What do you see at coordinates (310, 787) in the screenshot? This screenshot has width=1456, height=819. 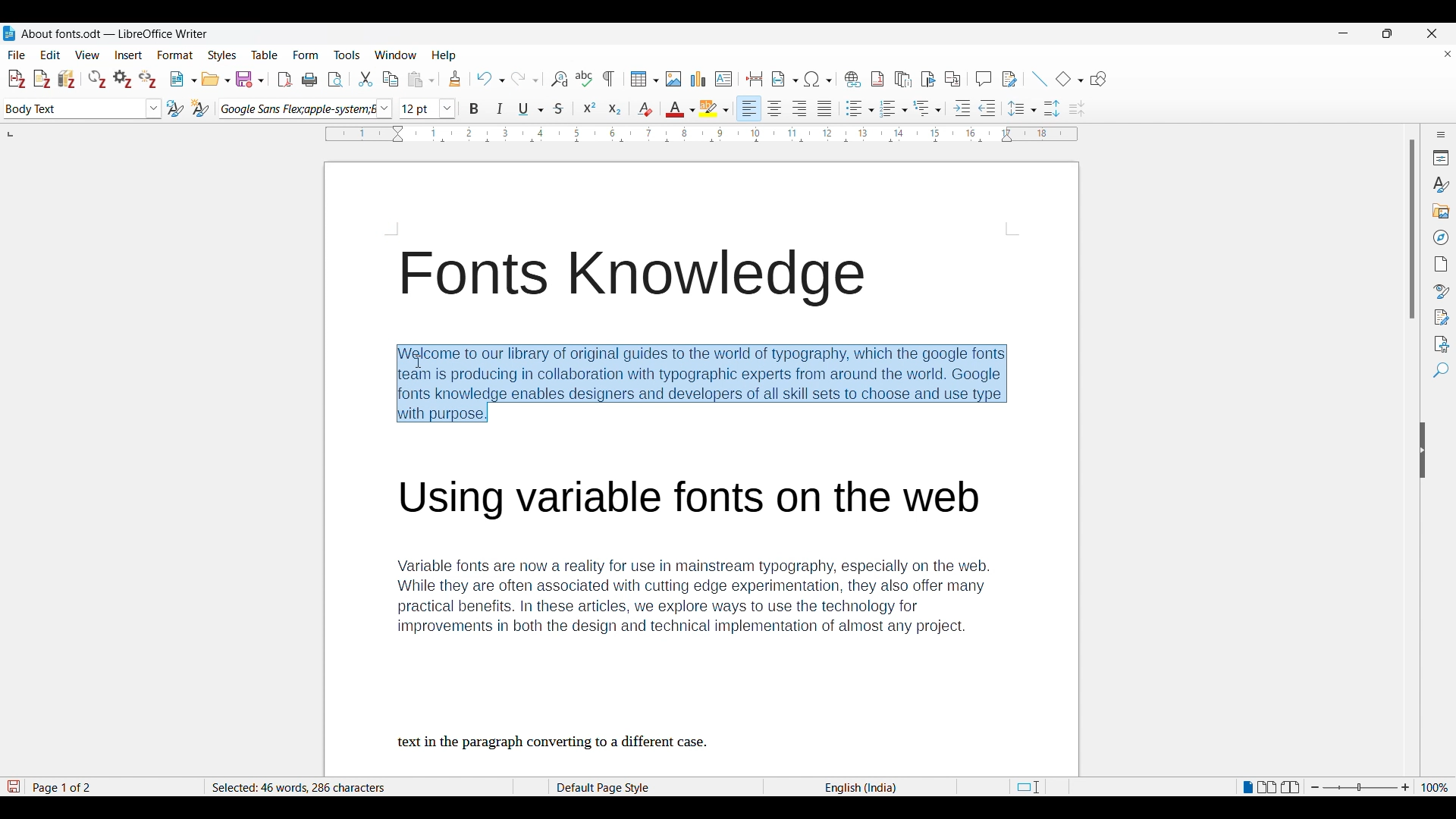 I see `Words and character count of selected text` at bounding box center [310, 787].